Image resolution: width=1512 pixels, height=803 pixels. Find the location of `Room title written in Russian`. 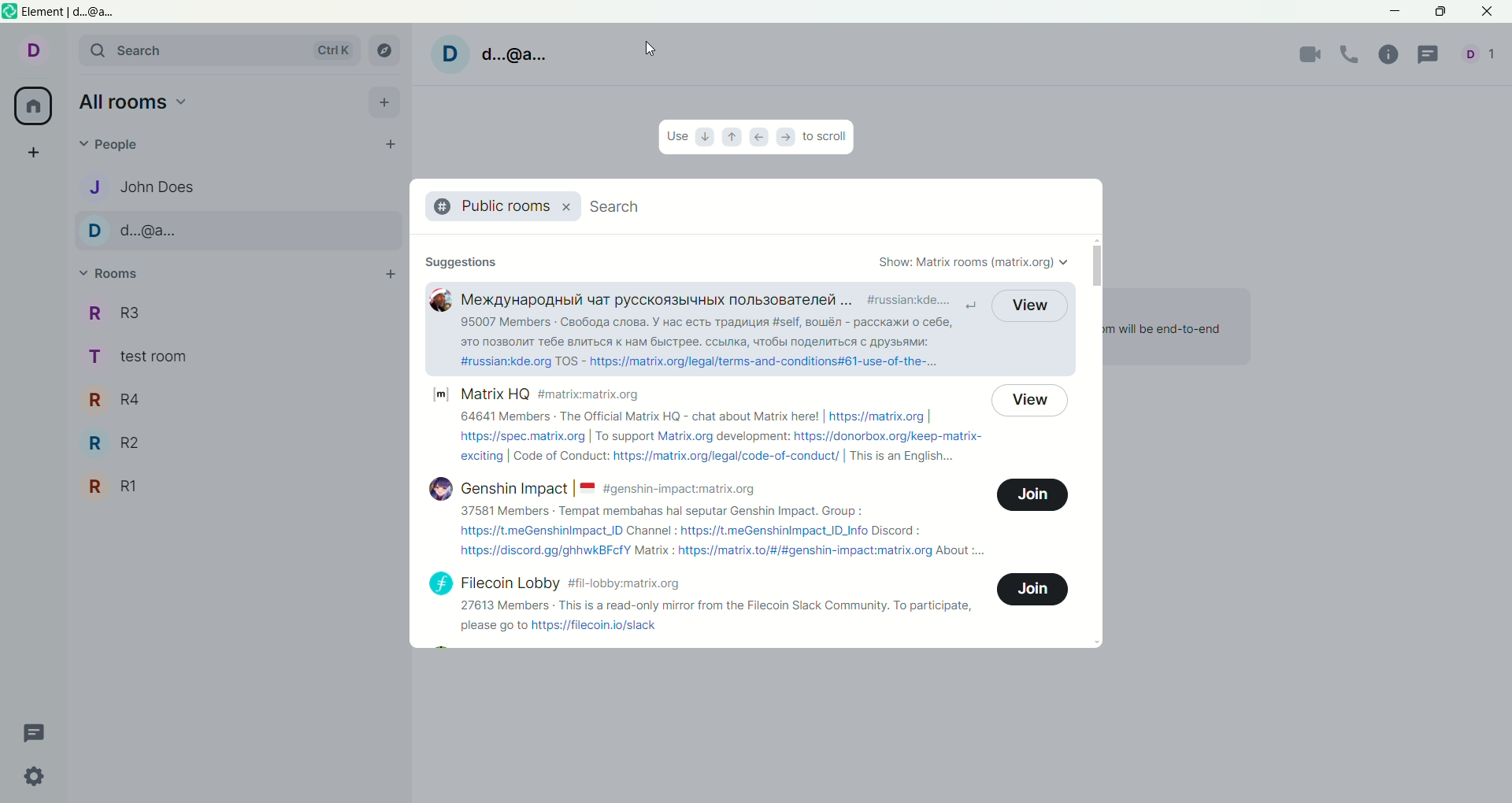

Room title written in Russian is located at coordinates (656, 300).